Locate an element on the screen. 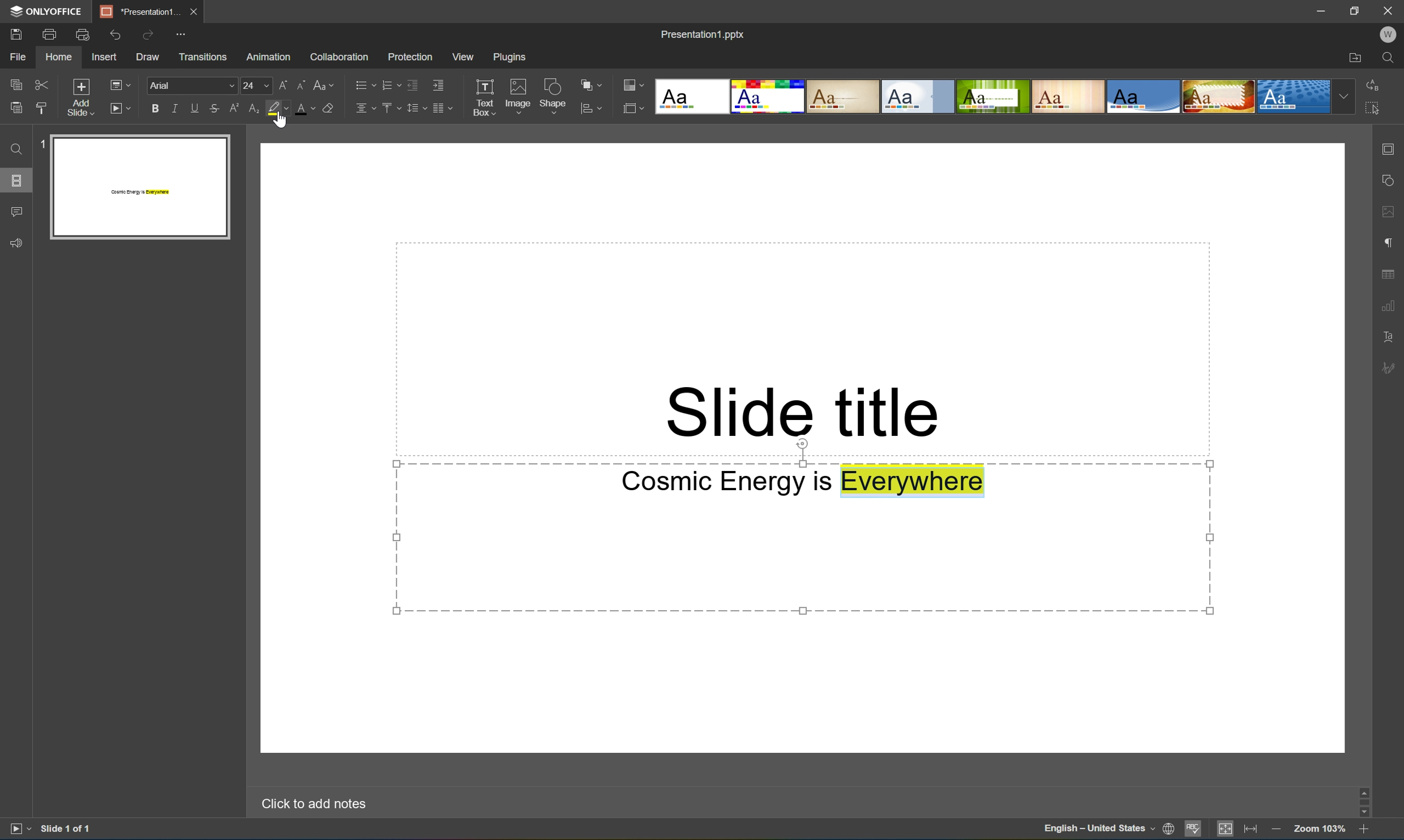  Restore down is located at coordinates (1356, 11).